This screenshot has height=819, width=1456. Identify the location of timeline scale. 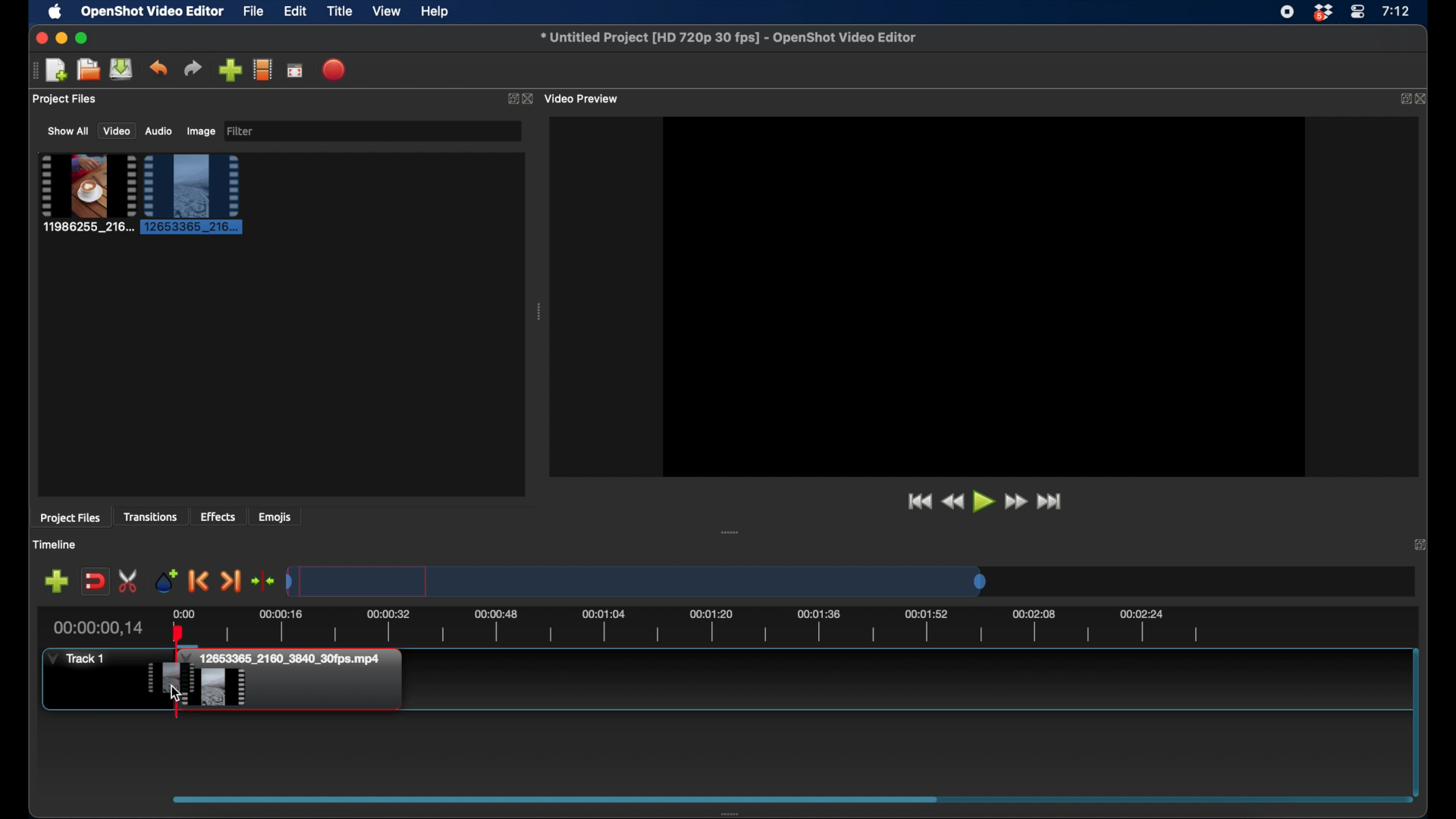
(637, 581).